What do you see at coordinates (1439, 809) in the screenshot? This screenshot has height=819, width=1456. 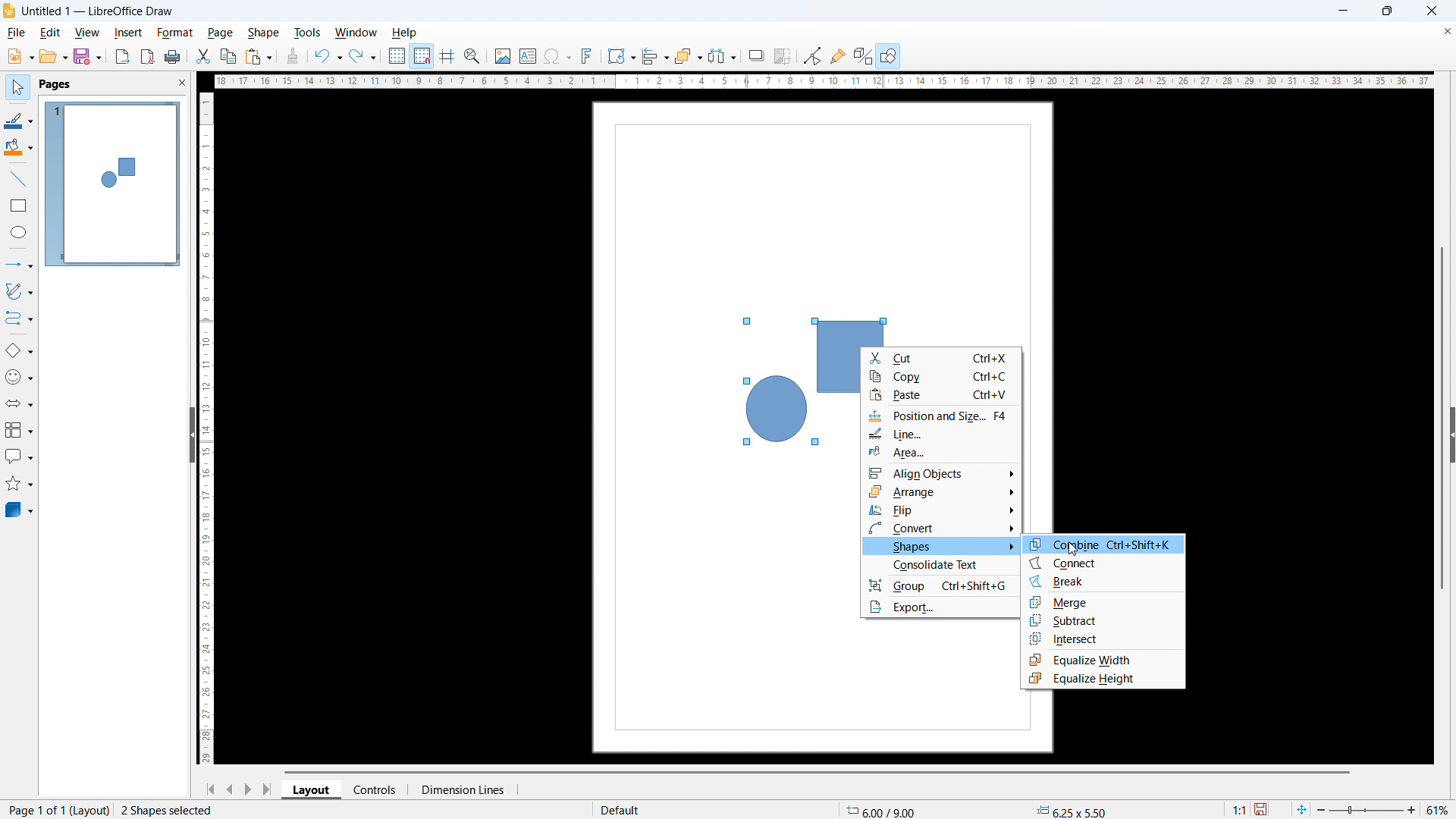 I see `zoom level` at bounding box center [1439, 809].